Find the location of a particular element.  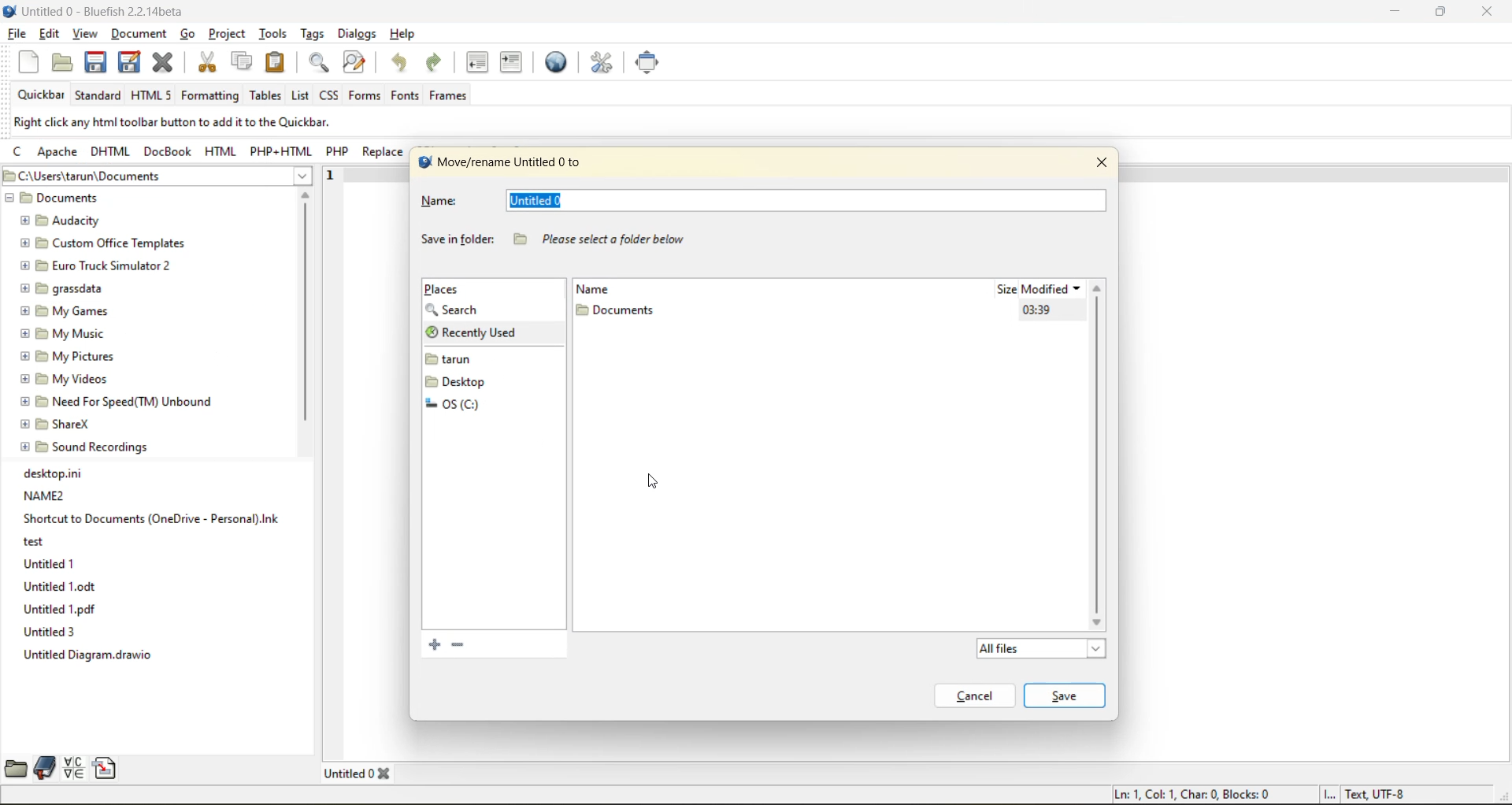

php html is located at coordinates (284, 153).